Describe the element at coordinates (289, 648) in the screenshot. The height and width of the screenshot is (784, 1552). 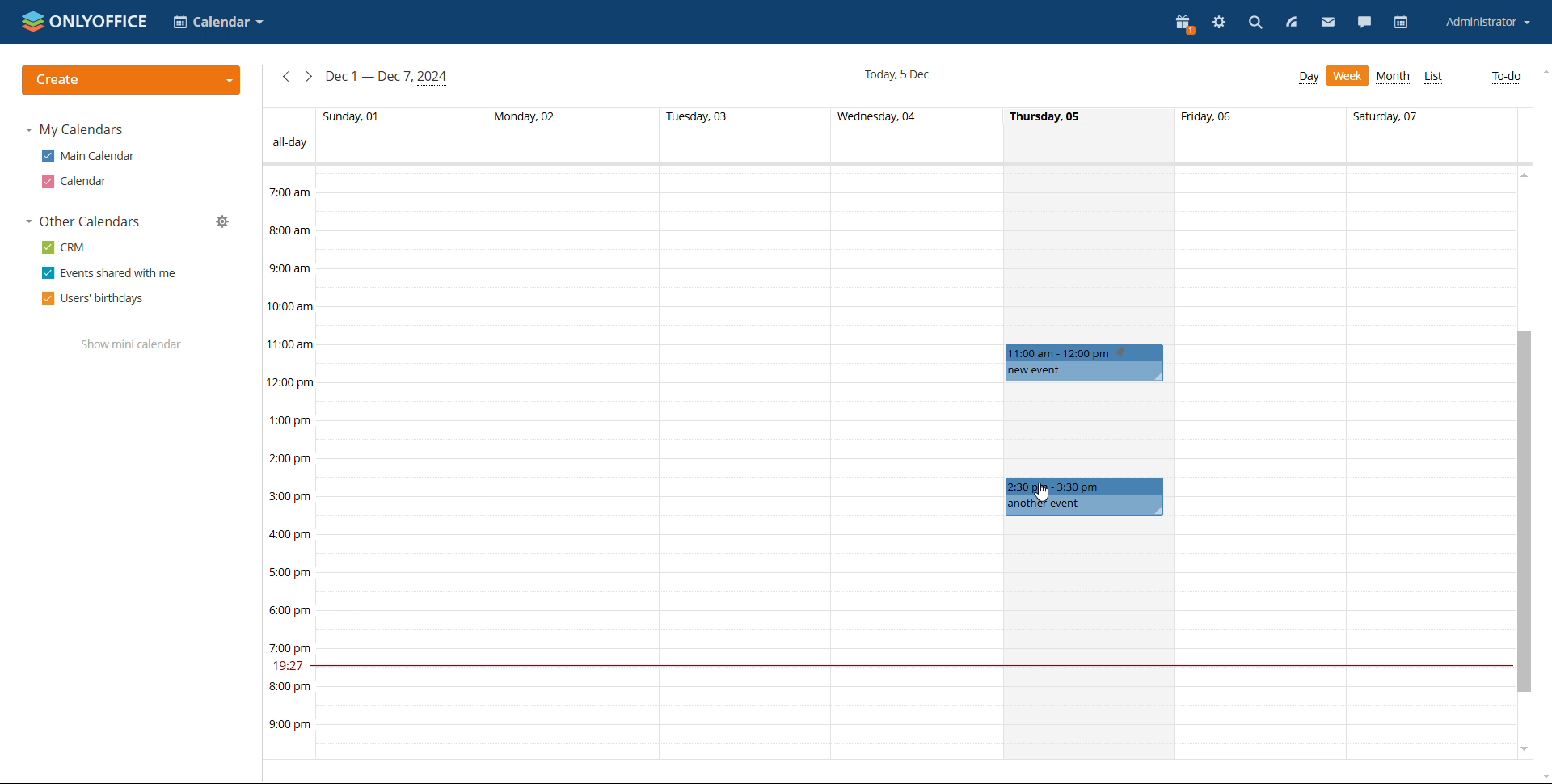
I see `7:00 pm` at that location.